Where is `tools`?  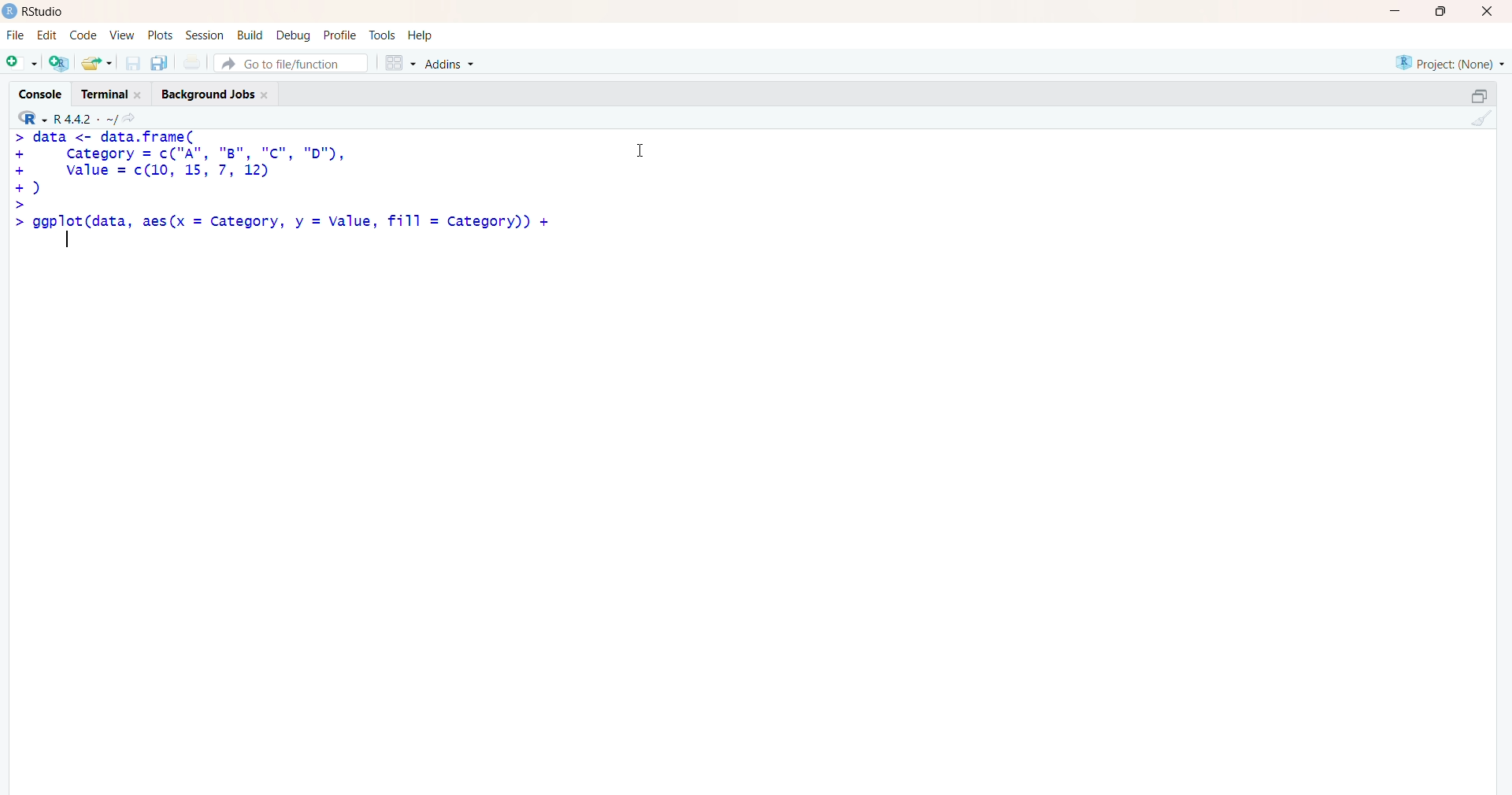
tools is located at coordinates (384, 35).